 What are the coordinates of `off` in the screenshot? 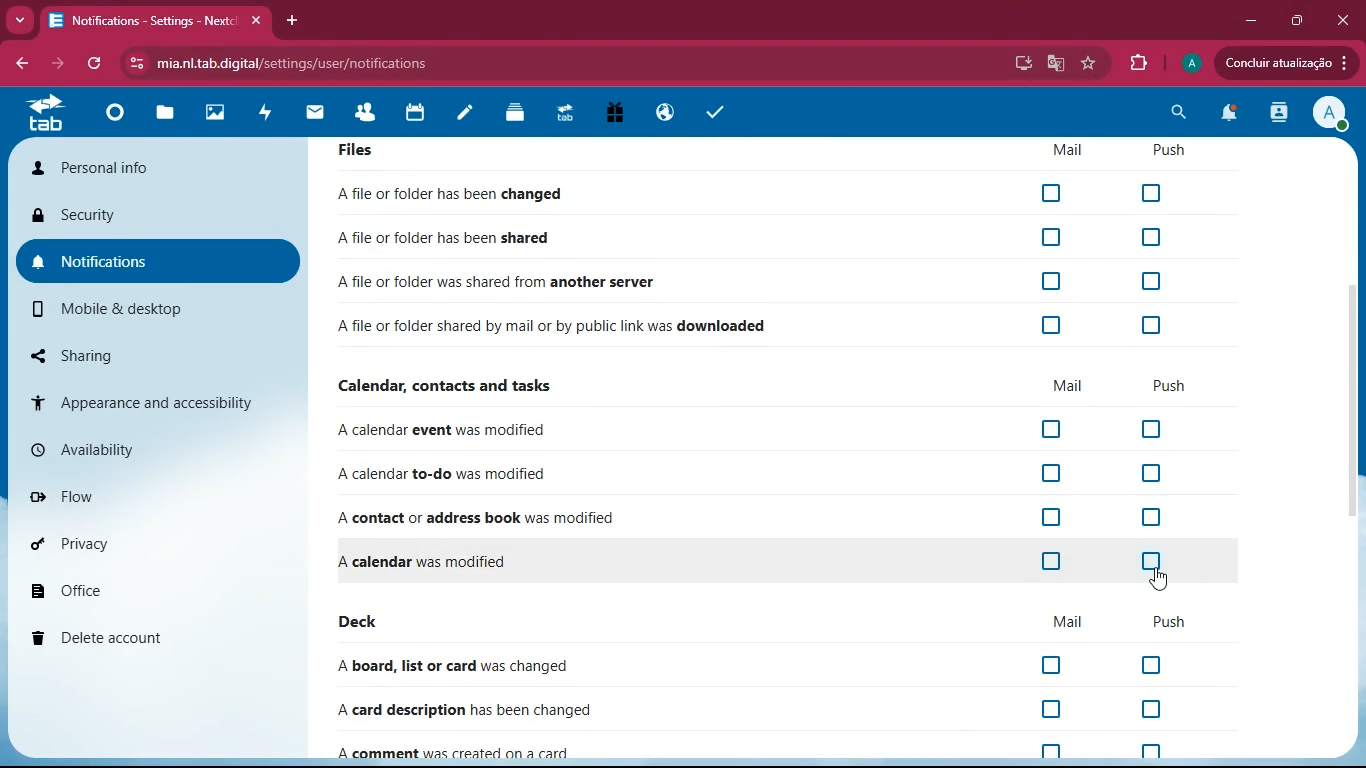 It's located at (1054, 668).